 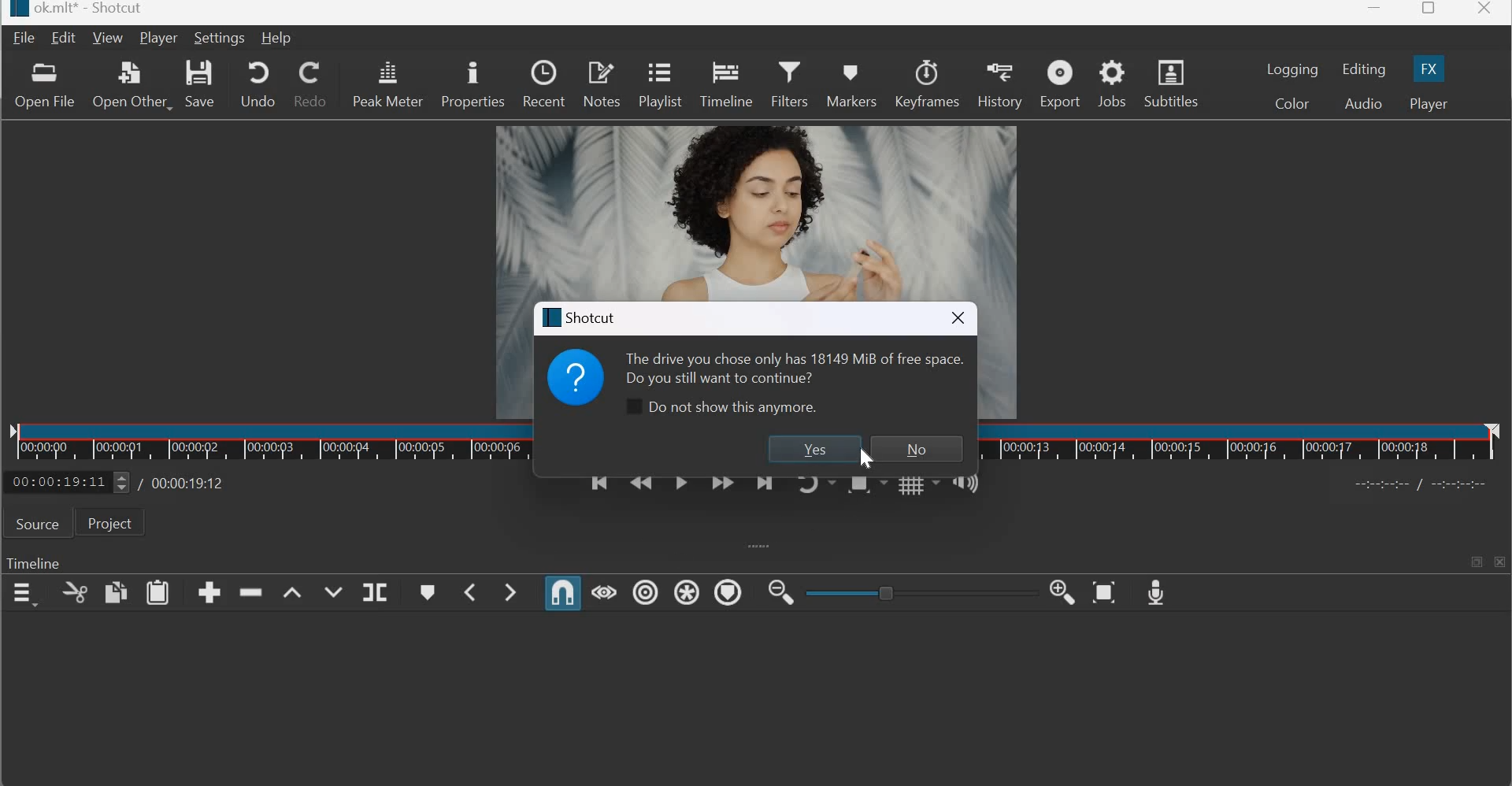 I want to click on Show the volume control, so click(x=965, y=487).